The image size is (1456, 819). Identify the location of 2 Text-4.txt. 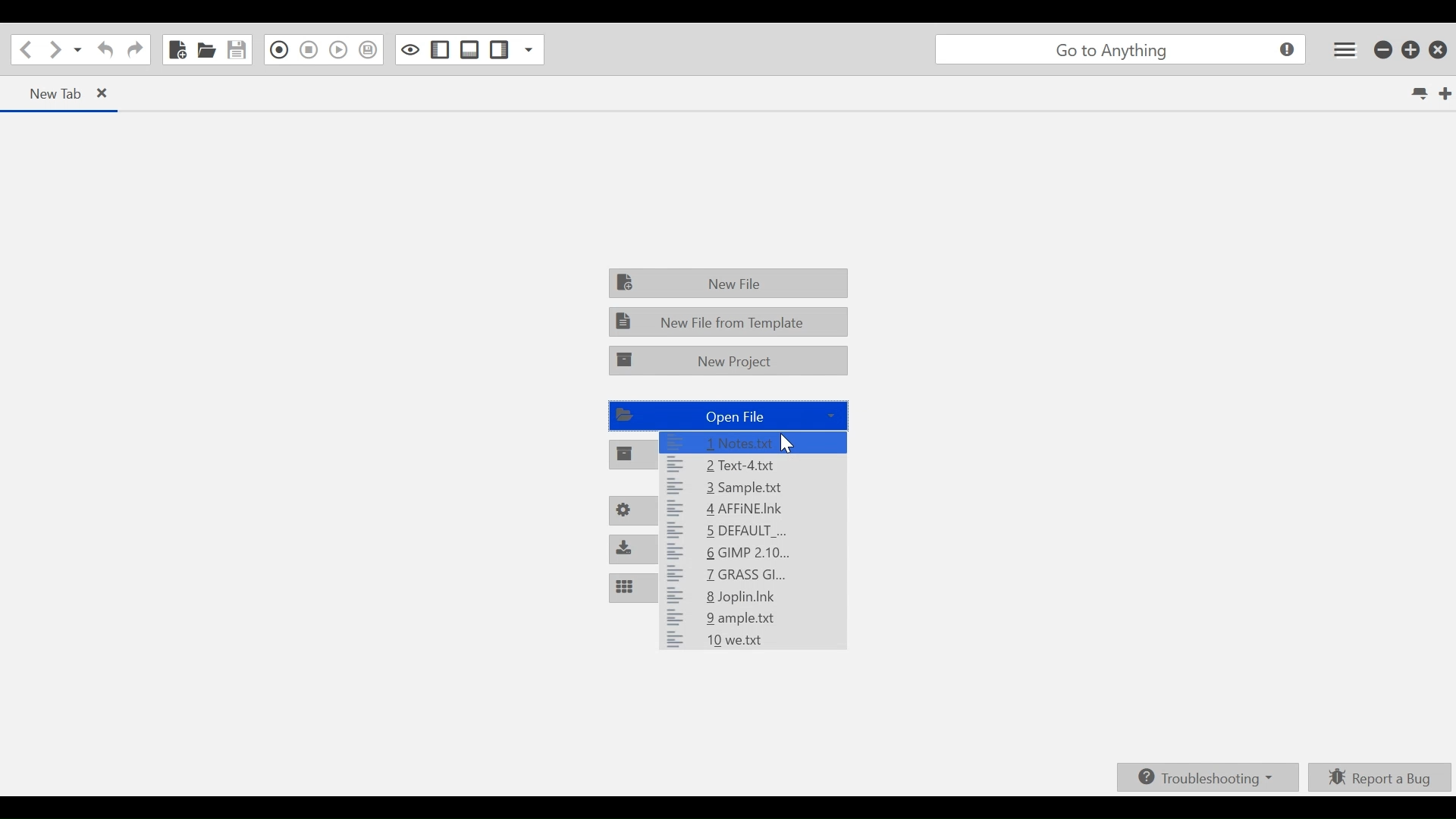
(736, 462).